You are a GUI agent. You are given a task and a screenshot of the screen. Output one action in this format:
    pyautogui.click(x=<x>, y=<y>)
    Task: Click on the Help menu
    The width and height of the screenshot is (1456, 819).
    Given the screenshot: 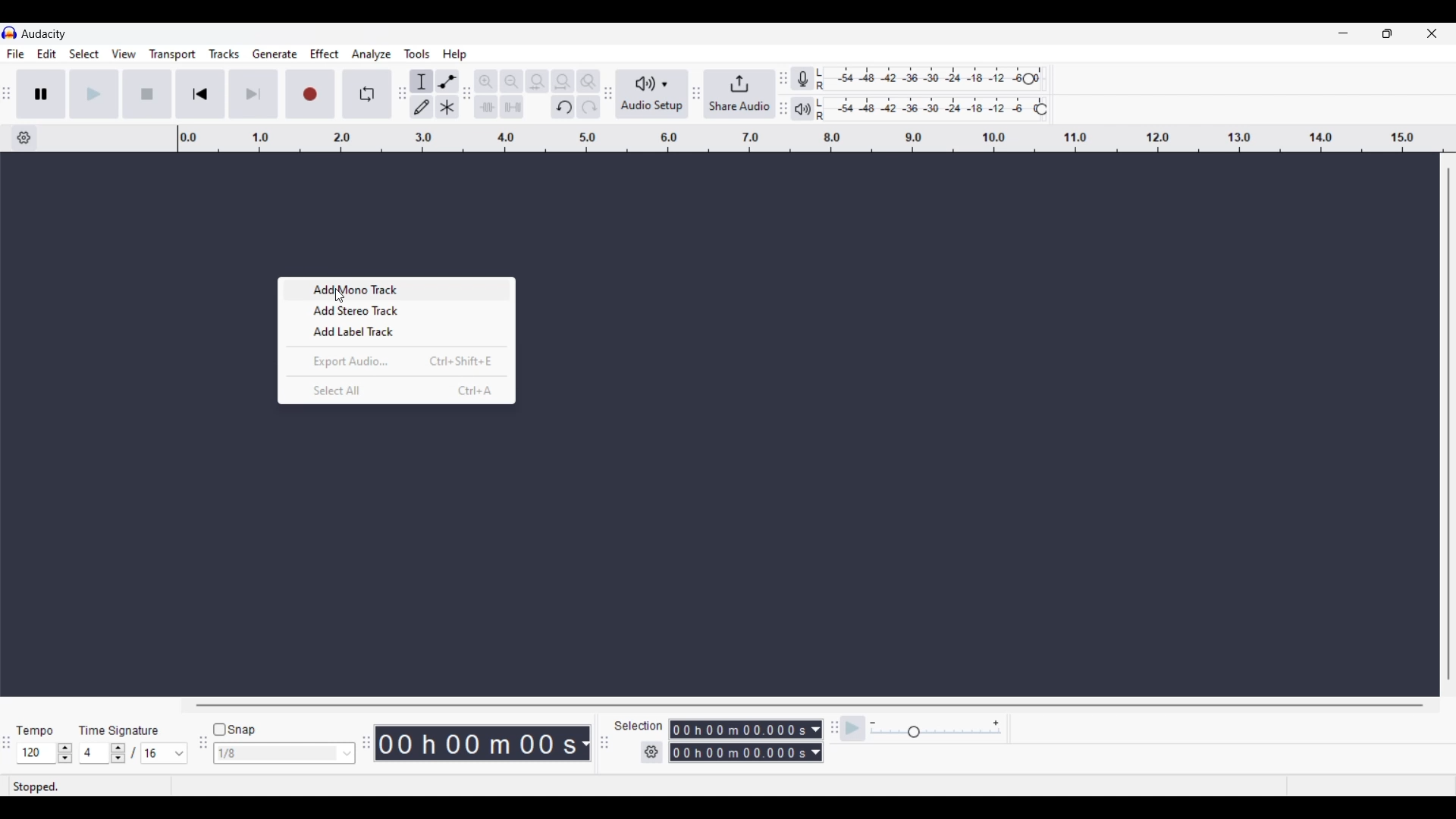 What is the action you would take?
    pyautogui.click(x=454, y=55)
    